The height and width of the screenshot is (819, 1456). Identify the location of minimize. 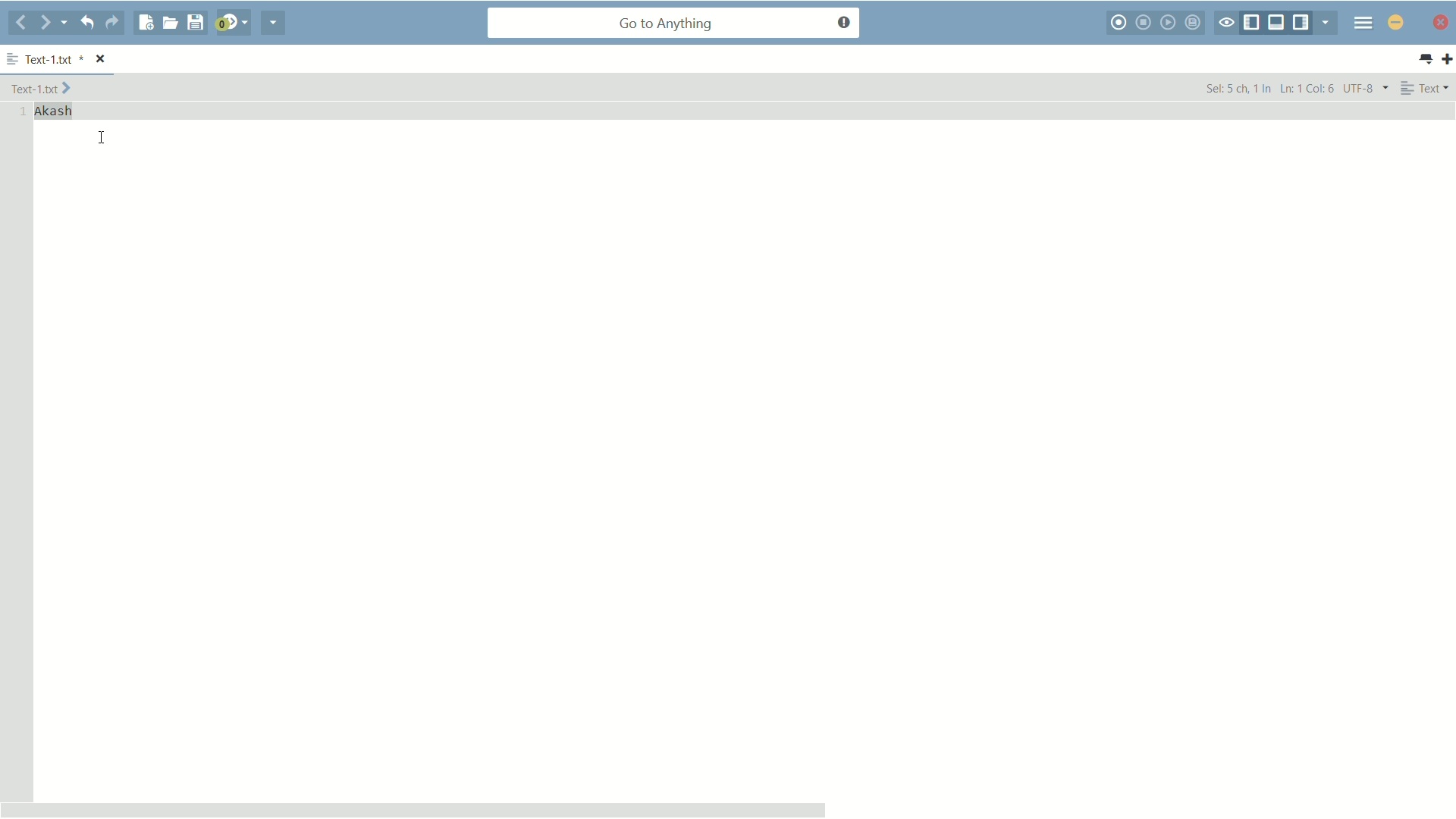
(1396, 22).